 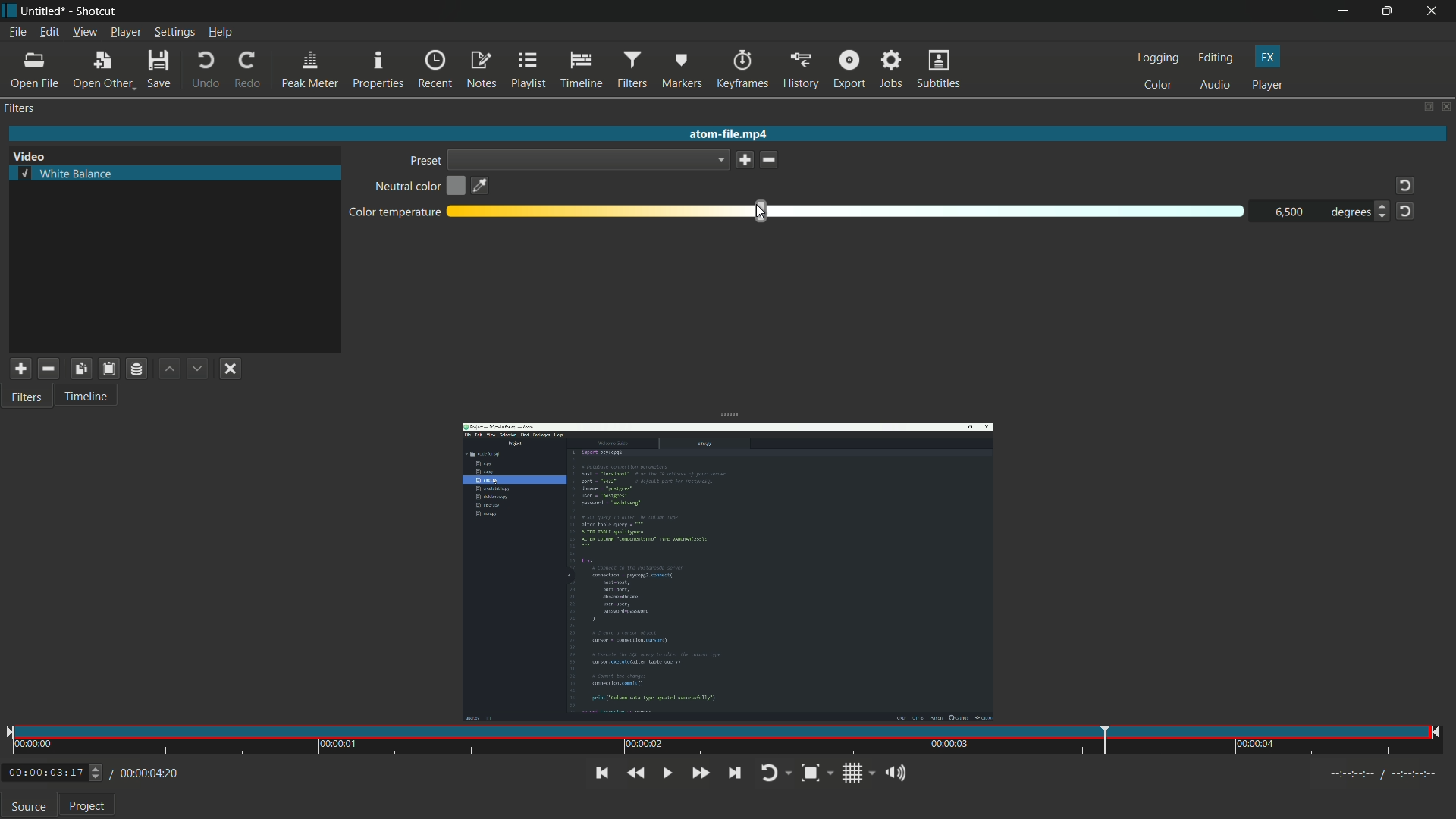 I want to click on player menu, so click(x=126, y=32).